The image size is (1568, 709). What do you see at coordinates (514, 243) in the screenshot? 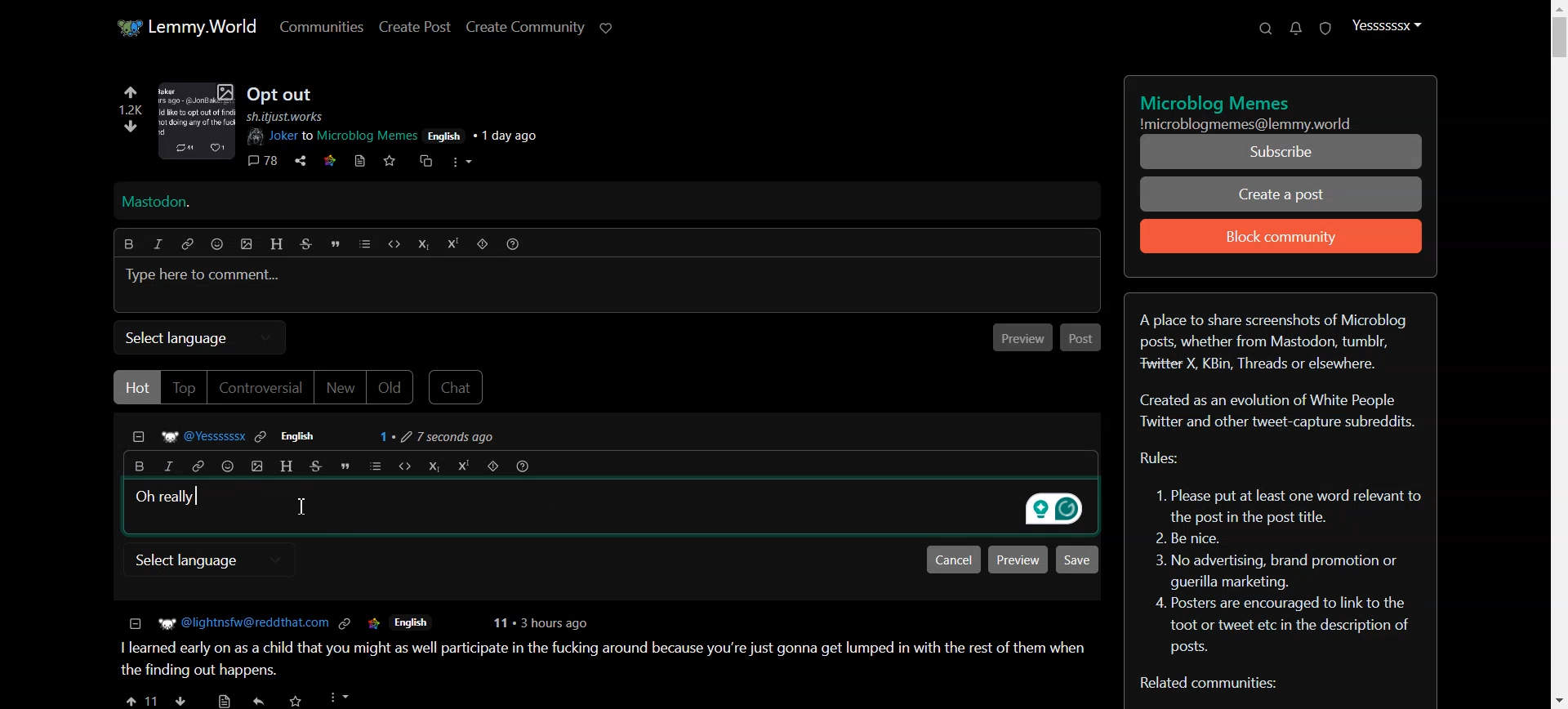
I see `Formatting help` at bounding box center [514, 243].